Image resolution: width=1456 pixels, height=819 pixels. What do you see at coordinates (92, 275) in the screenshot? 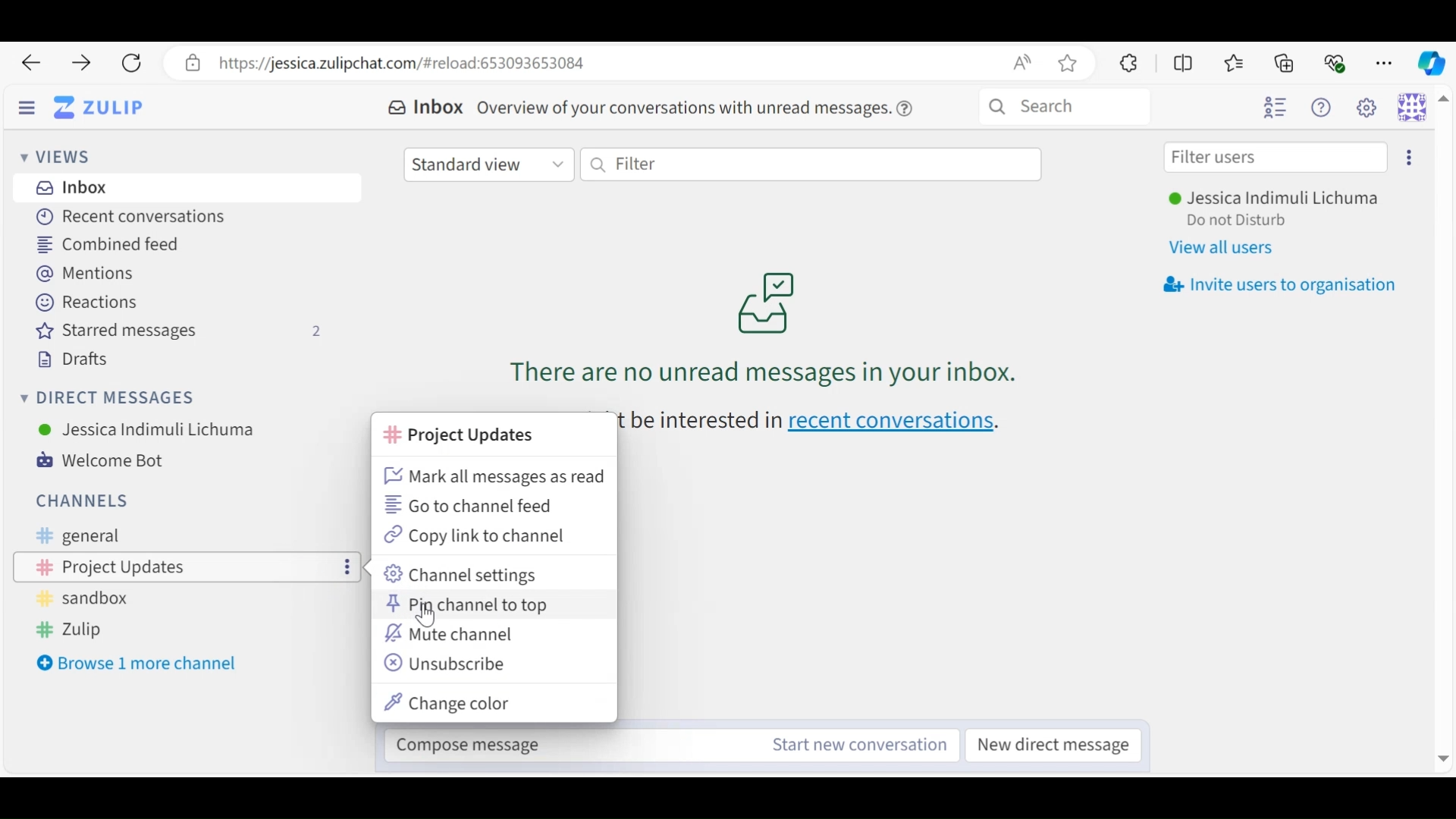
I see `Mentions` at bounding box center [92, 275].